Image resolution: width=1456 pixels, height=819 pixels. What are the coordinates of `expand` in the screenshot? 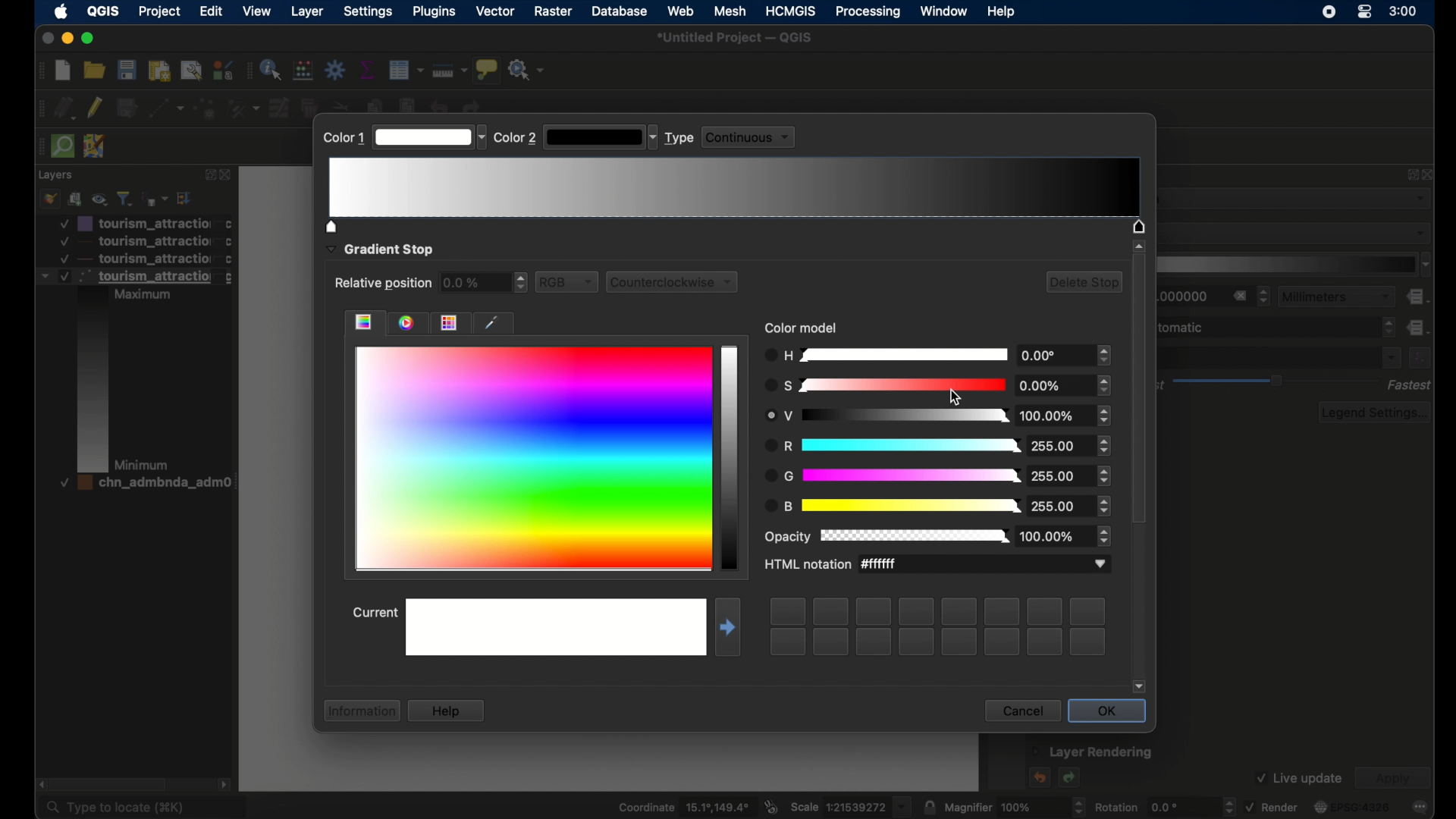 It's located at (1410, 177).